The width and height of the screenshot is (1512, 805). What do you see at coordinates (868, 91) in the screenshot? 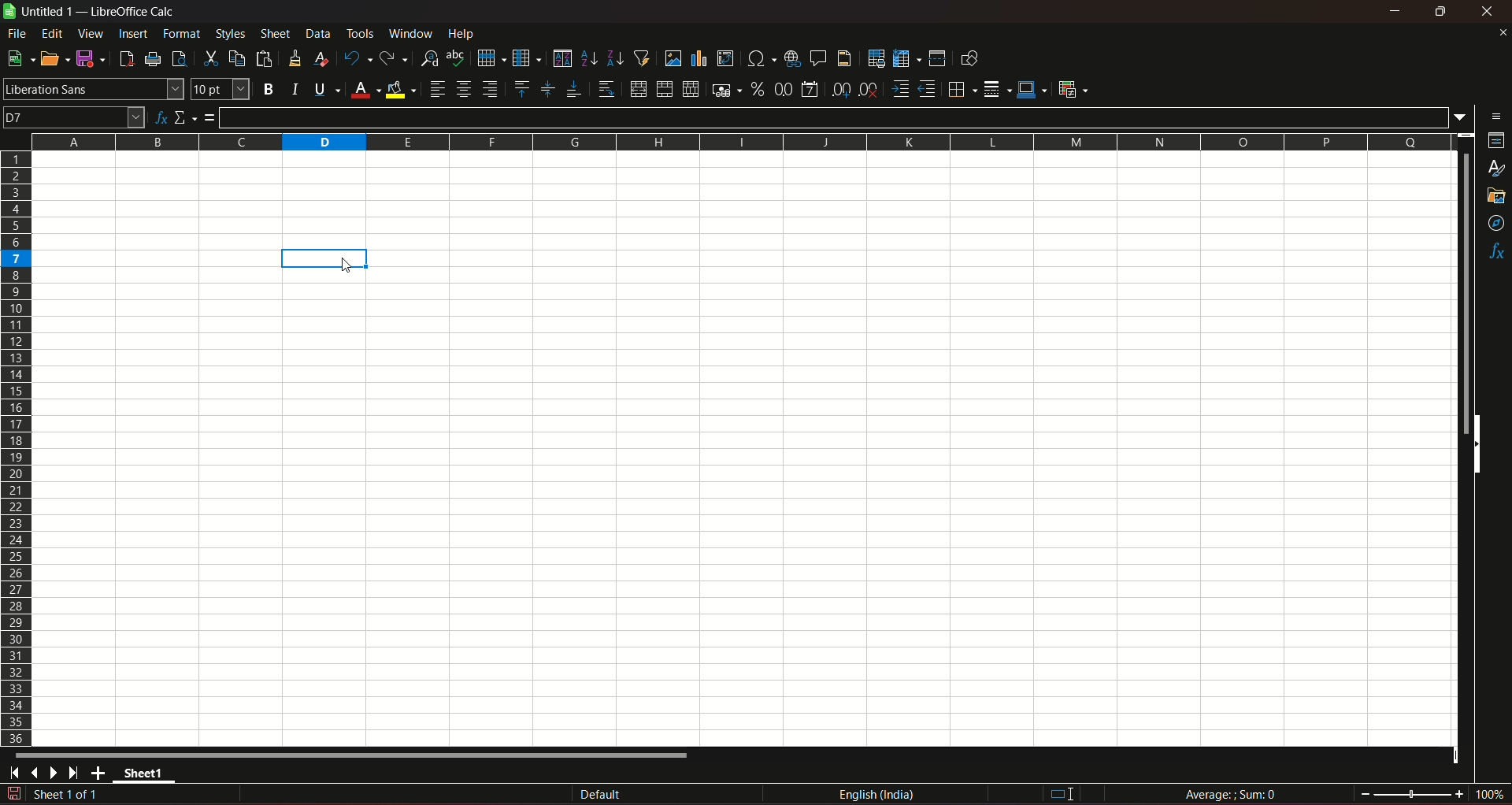
I see `delete decimal place` at bounding box center [868, 91].